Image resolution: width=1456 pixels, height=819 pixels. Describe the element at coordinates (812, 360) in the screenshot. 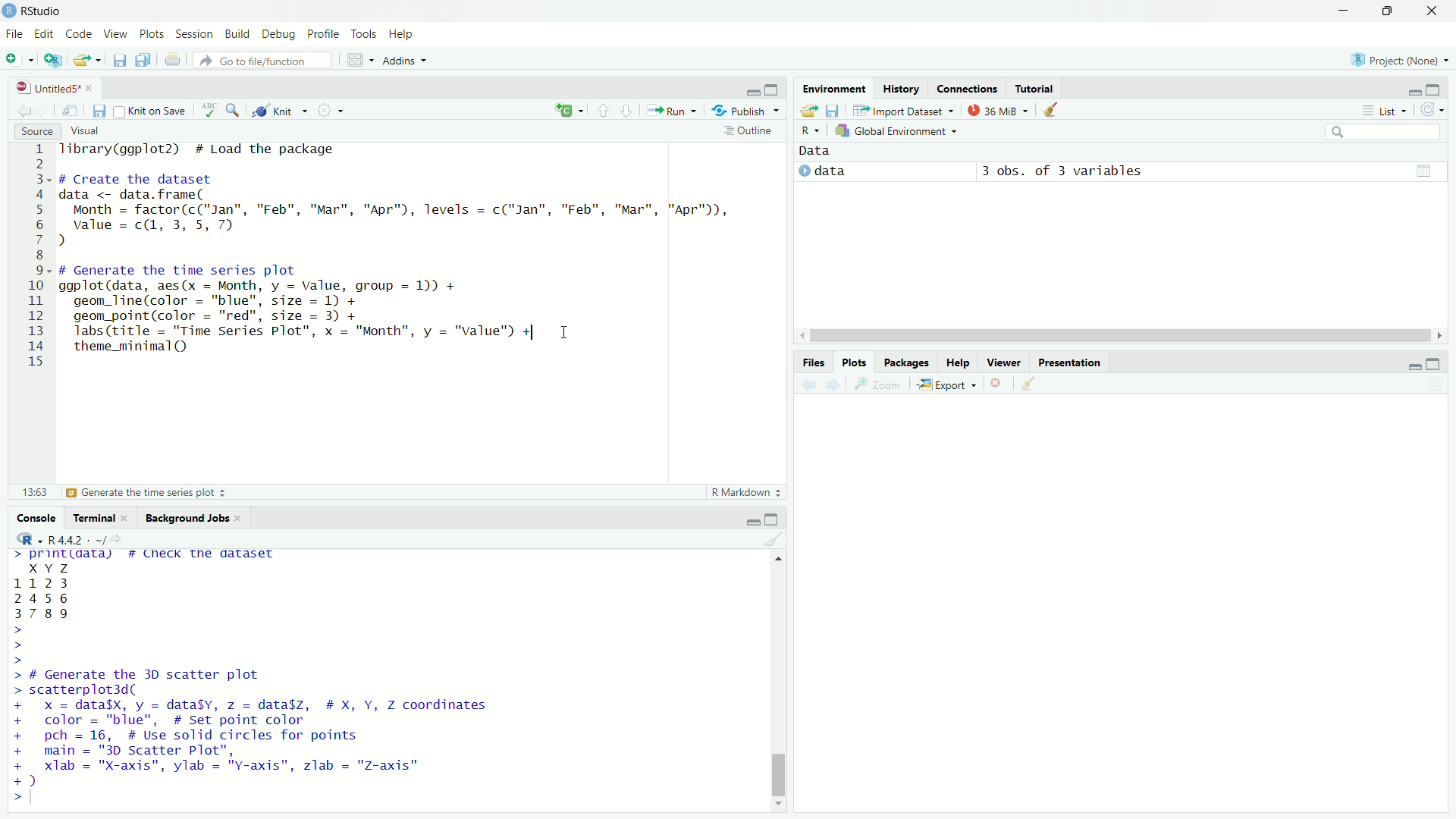

I see `files` at that location.